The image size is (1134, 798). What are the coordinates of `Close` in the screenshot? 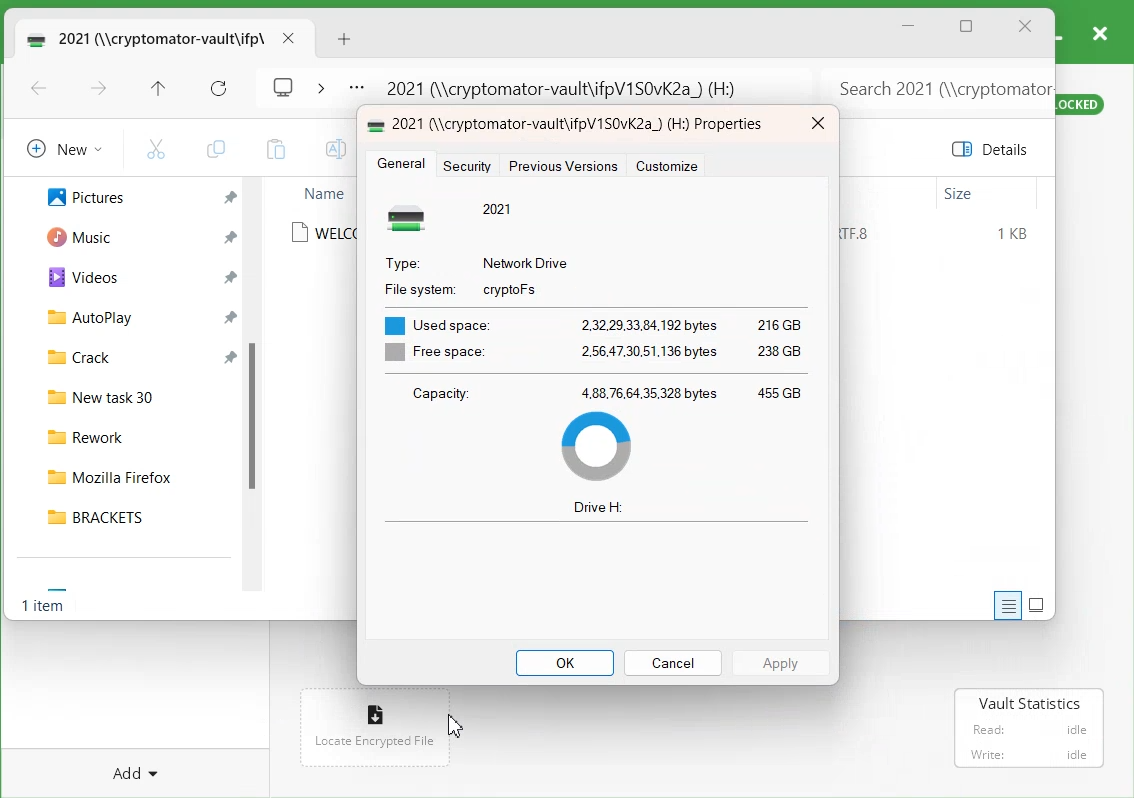 It's located at (1025, 27).